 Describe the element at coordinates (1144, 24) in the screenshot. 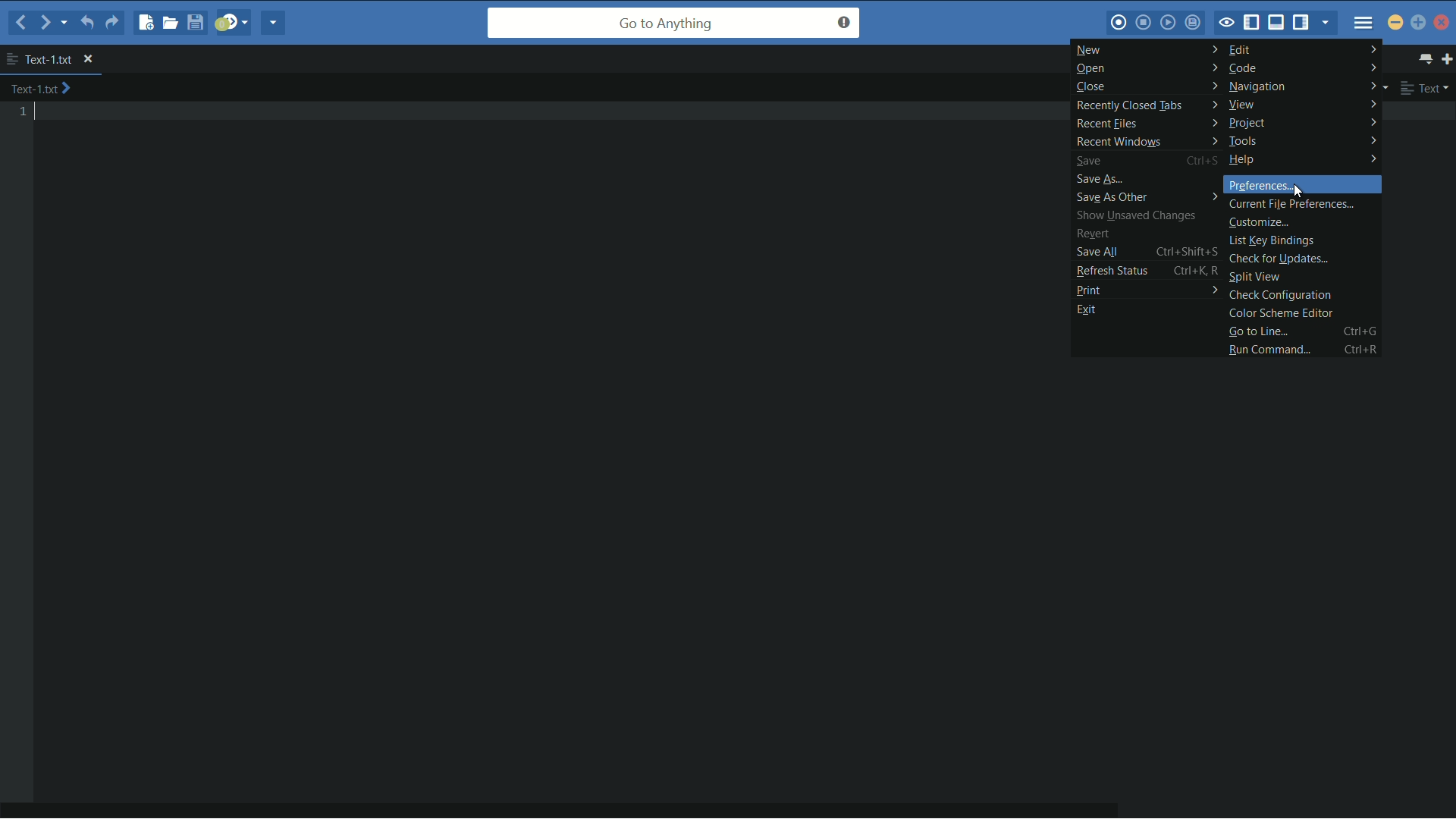

I see `stop macro` at that location.